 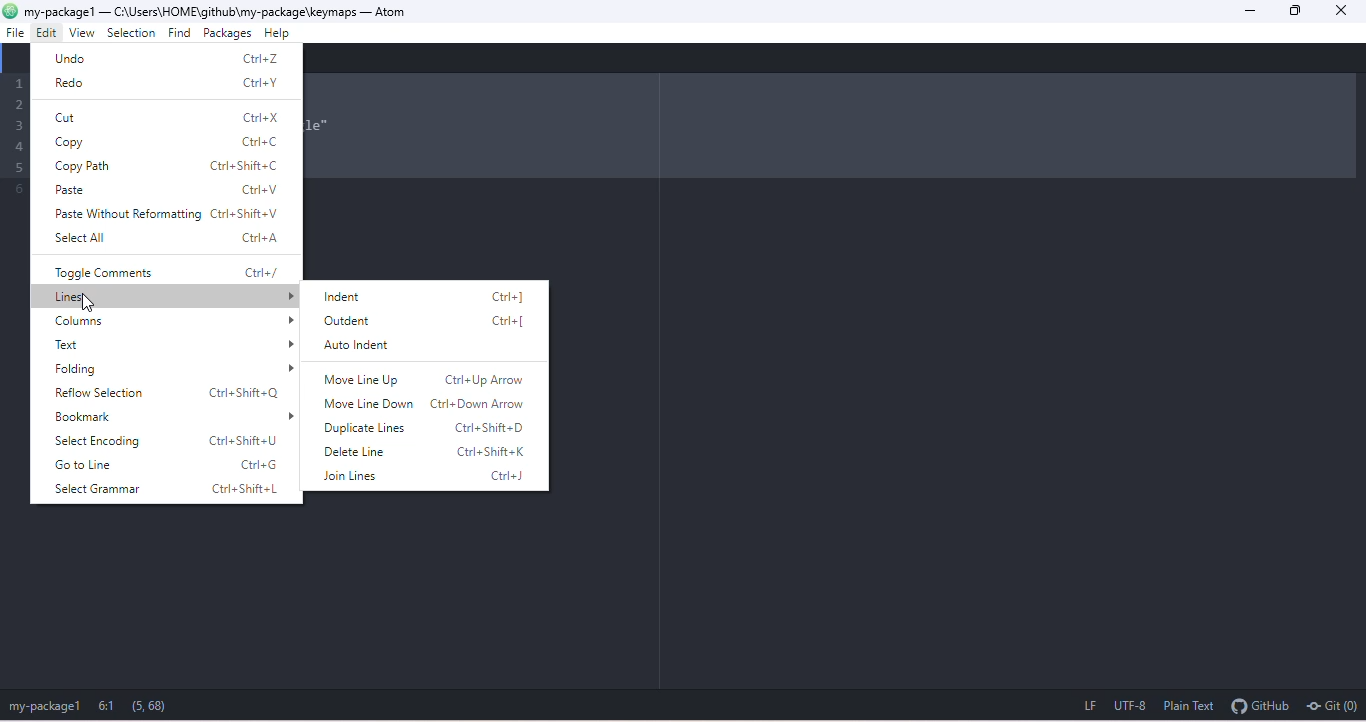 I want to click on Code lines, so click(x=13, y=140).